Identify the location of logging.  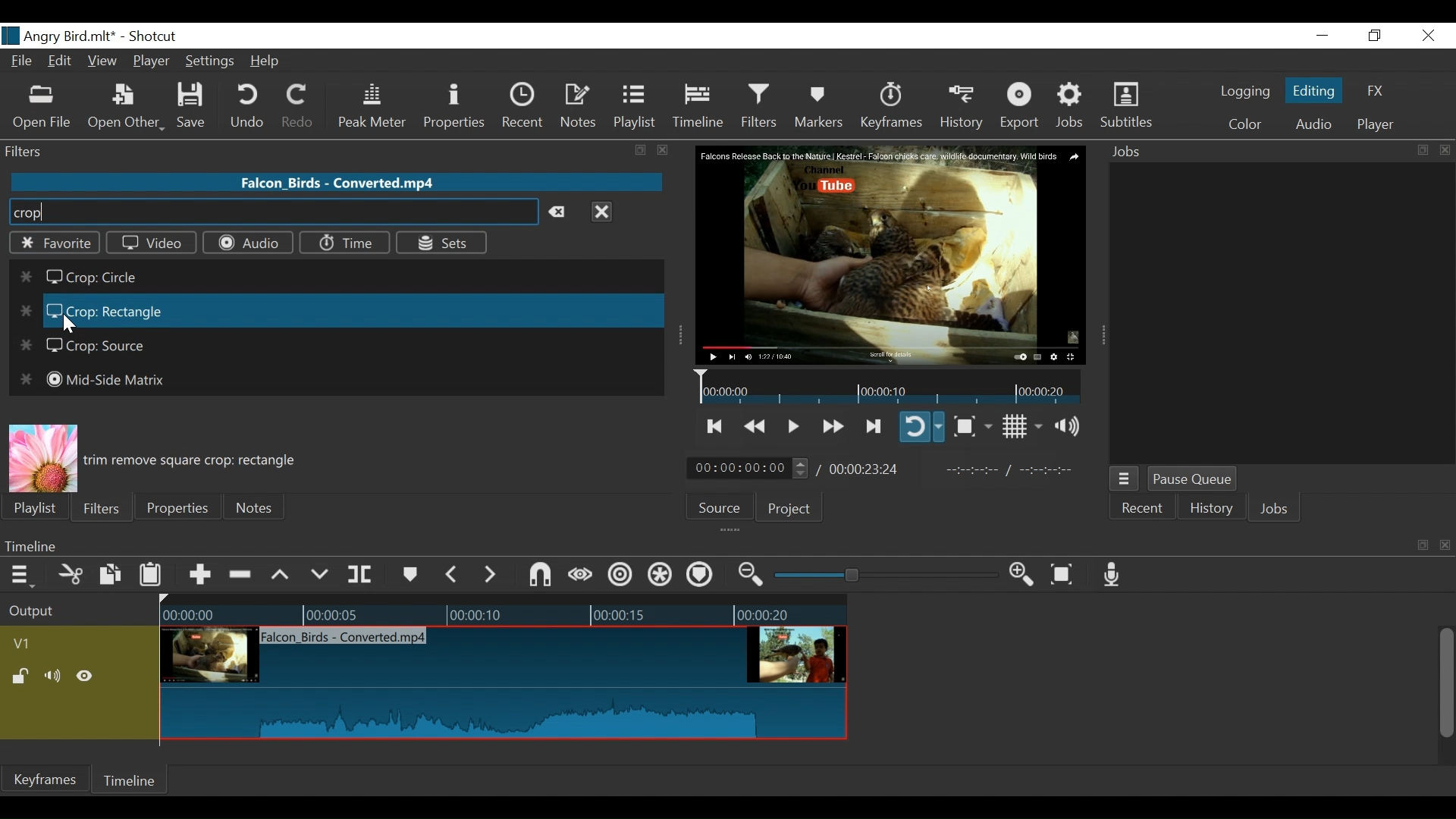
(1245, 93).